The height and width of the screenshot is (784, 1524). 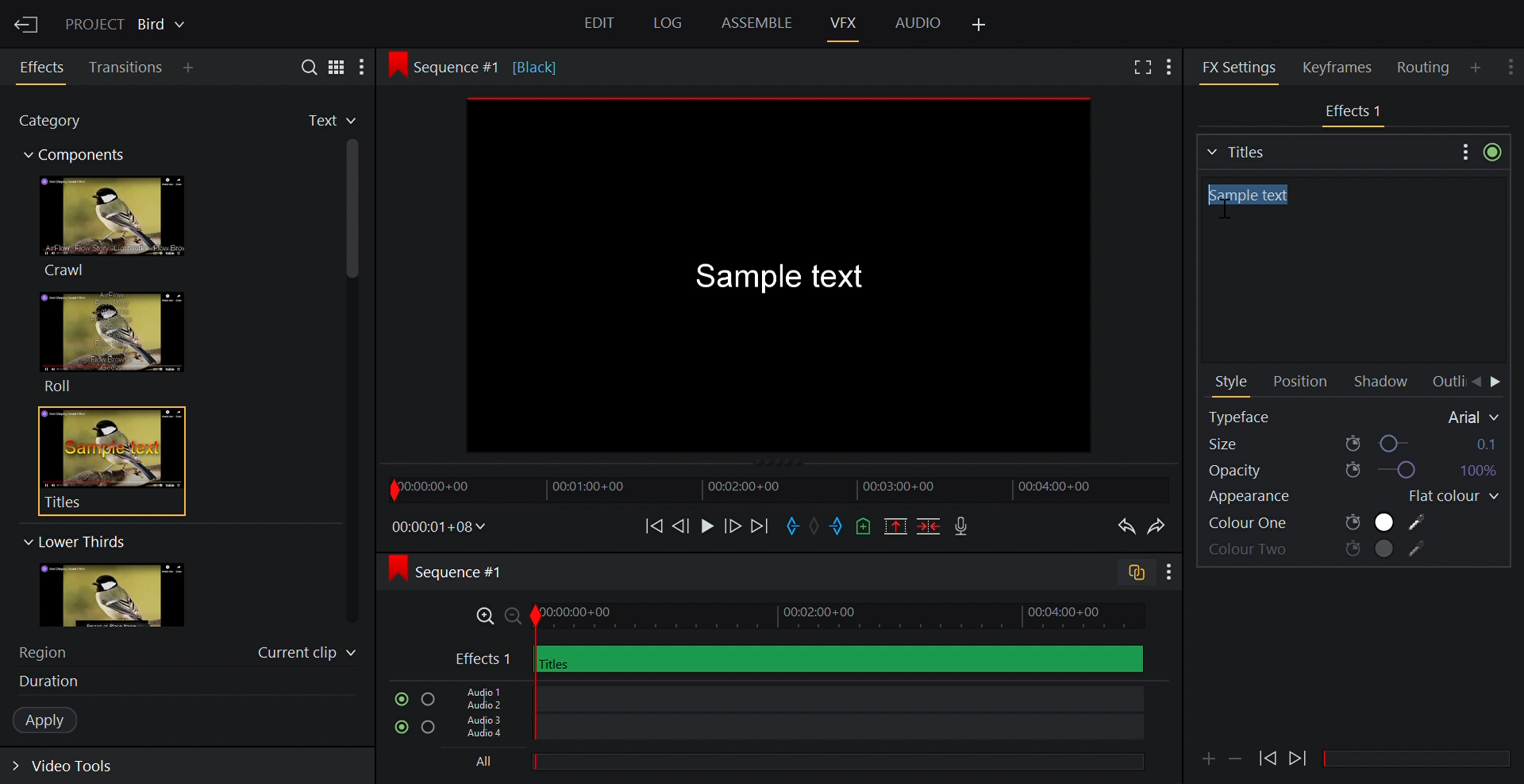 What do you see at coordinates (440, 527) in the screenshot?
I see `Timecodes and reels` at bounding box center [440, 527].